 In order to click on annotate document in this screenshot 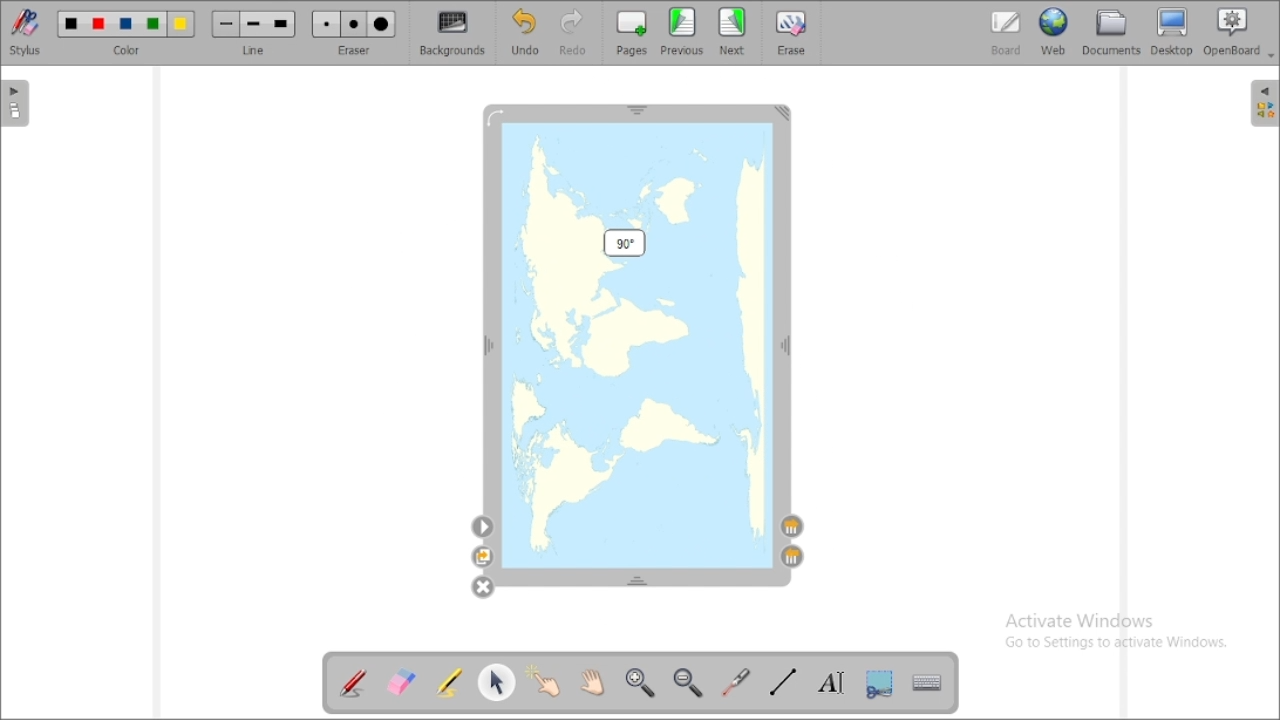, I will do `click(354, 685)`.